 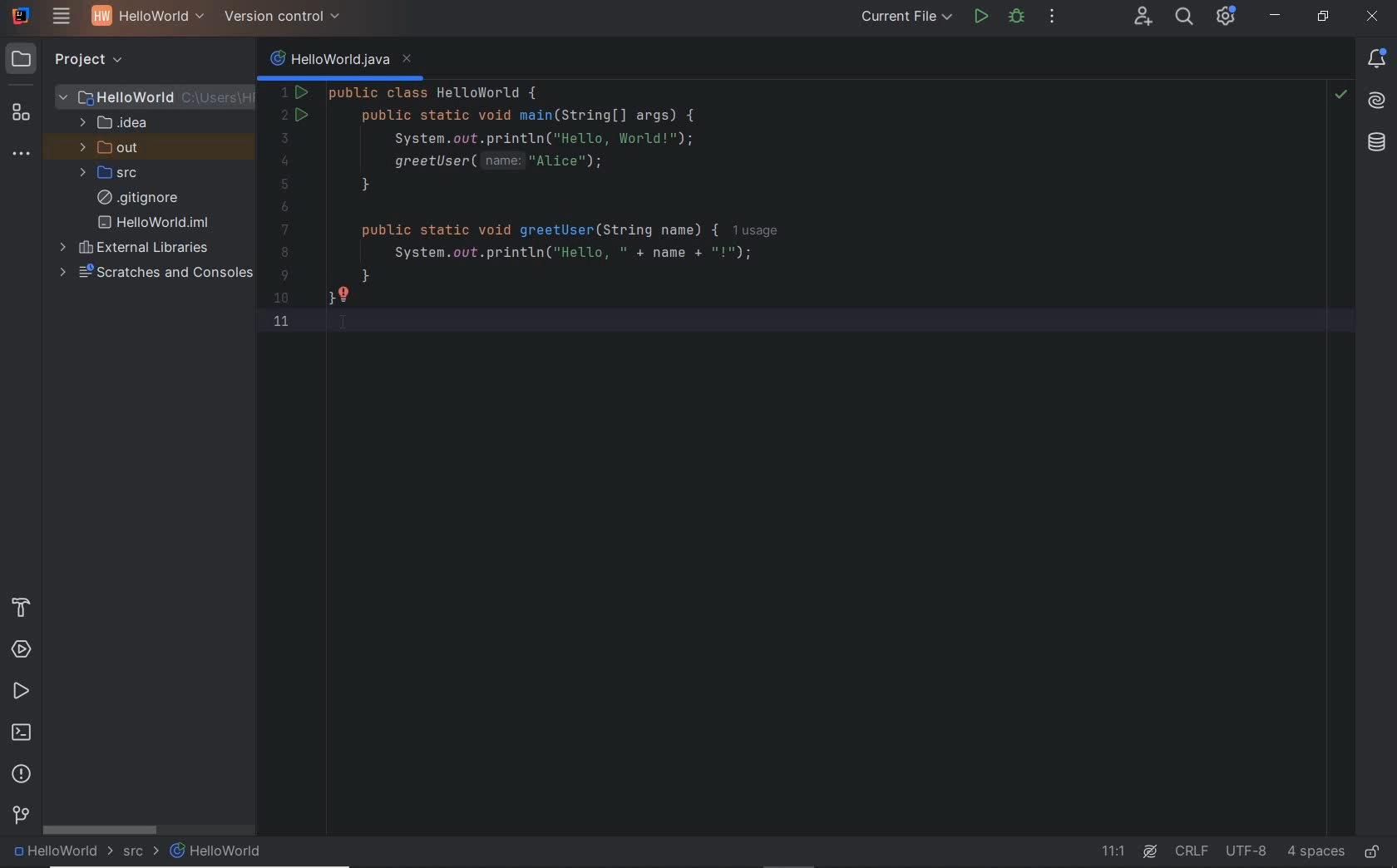 What do you see at coordinates (110, 124) in the screenshot?
I see `.idea (folder)` at bounding box center [110, 124].